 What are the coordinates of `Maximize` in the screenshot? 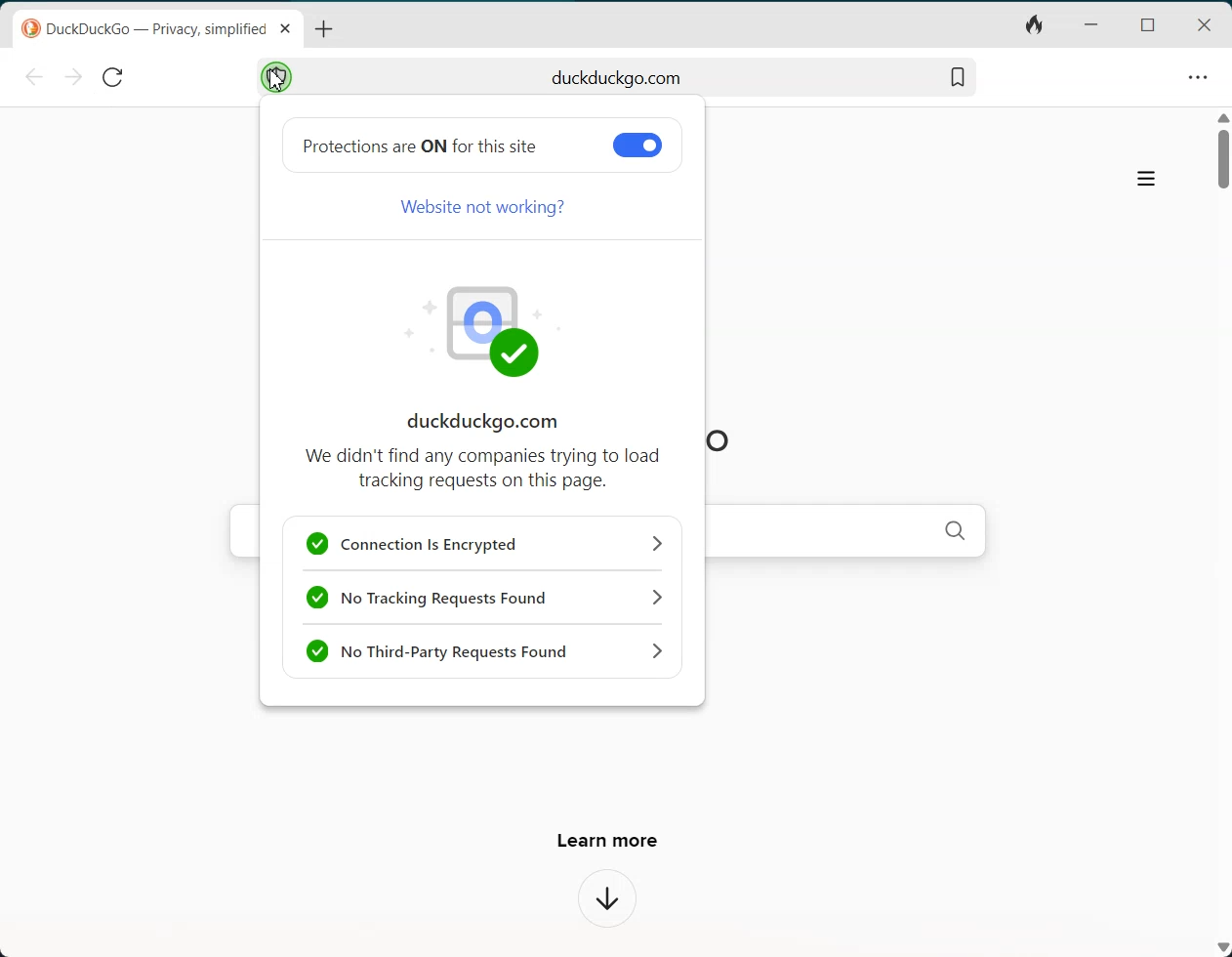 It's located at (1146, 23).